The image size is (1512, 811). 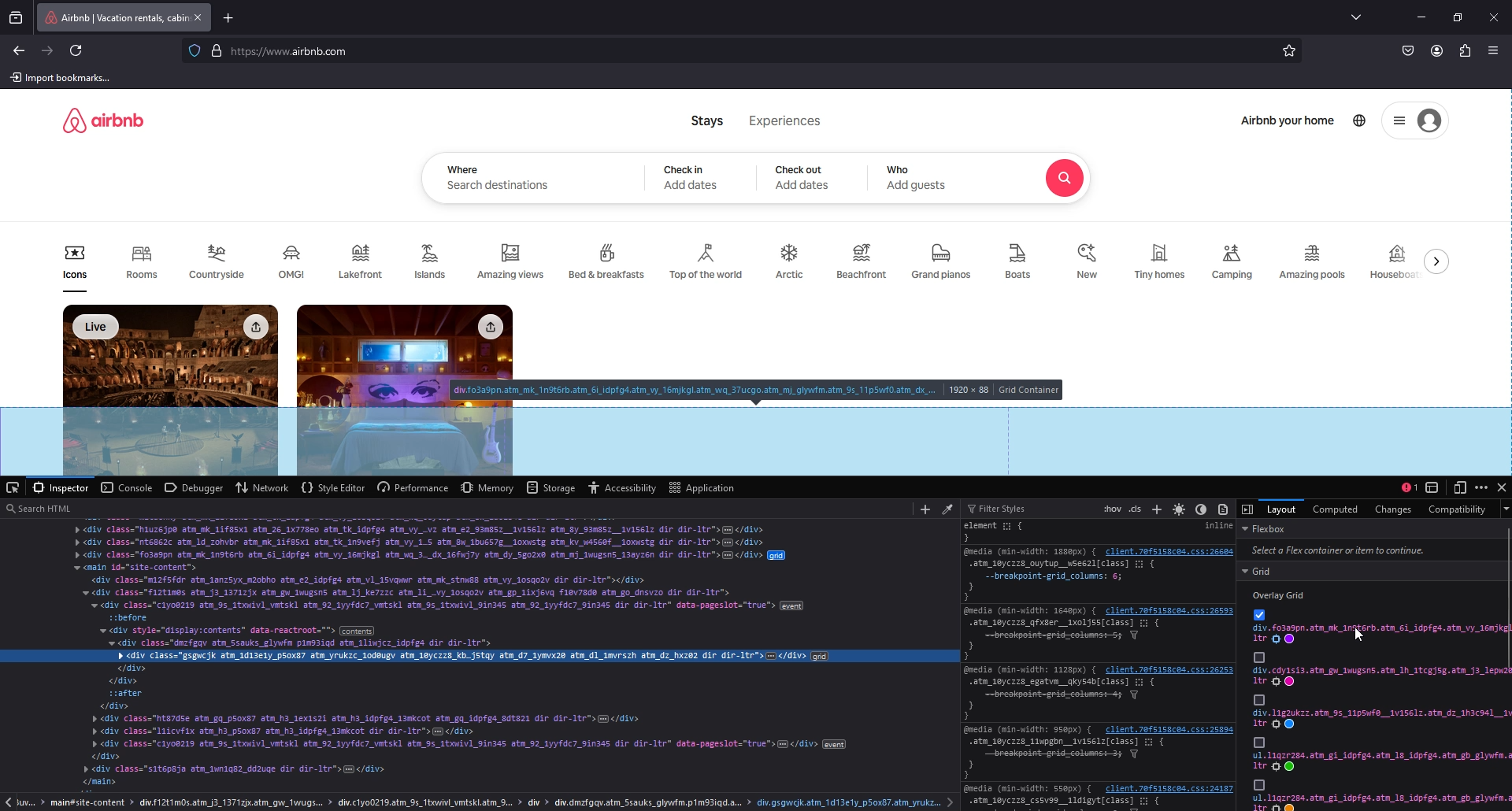 I want to click on changes, so click(x=1391, y=509).